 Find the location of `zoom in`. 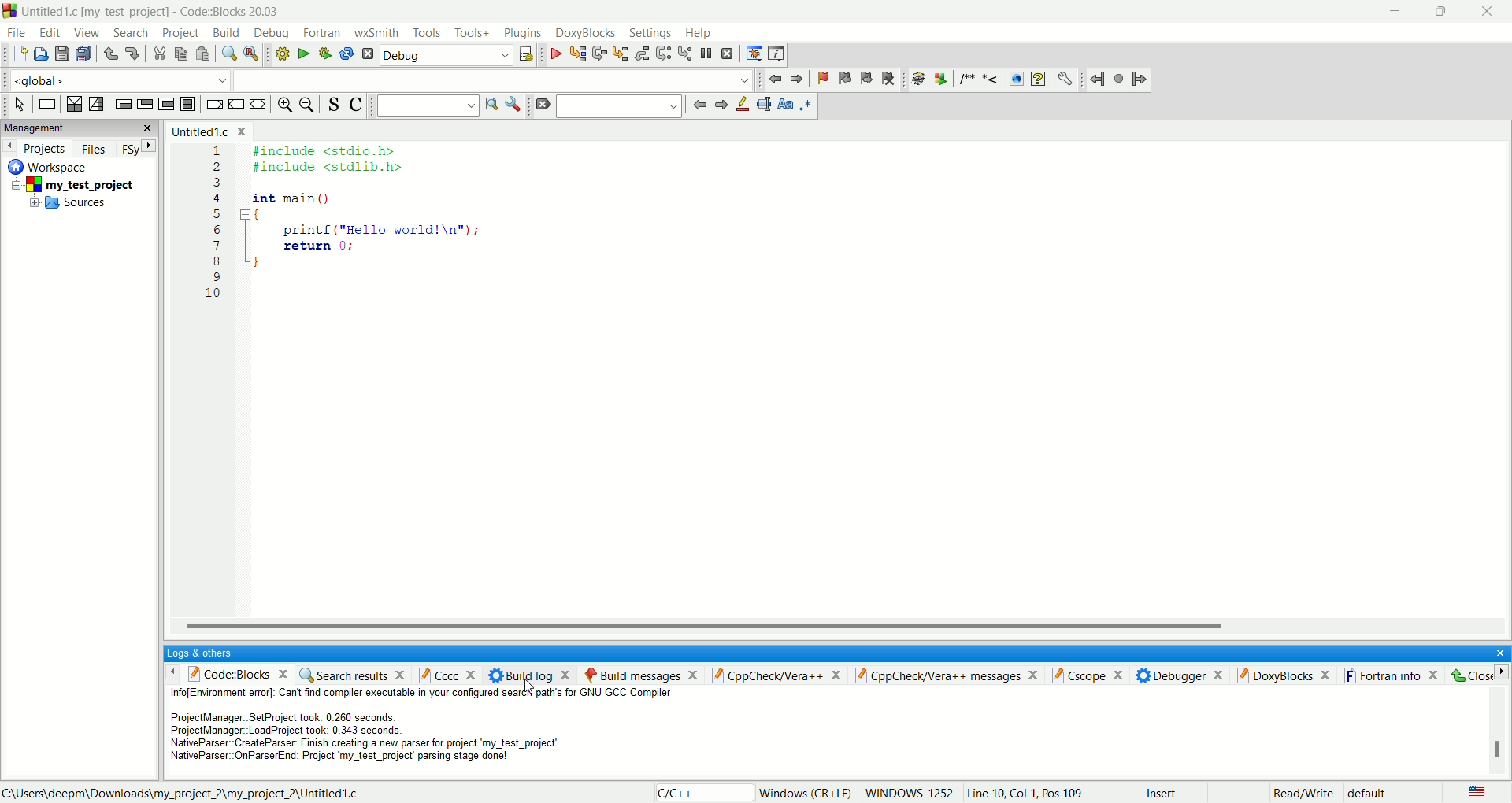

zoom in is located at coordinates (283, 105).